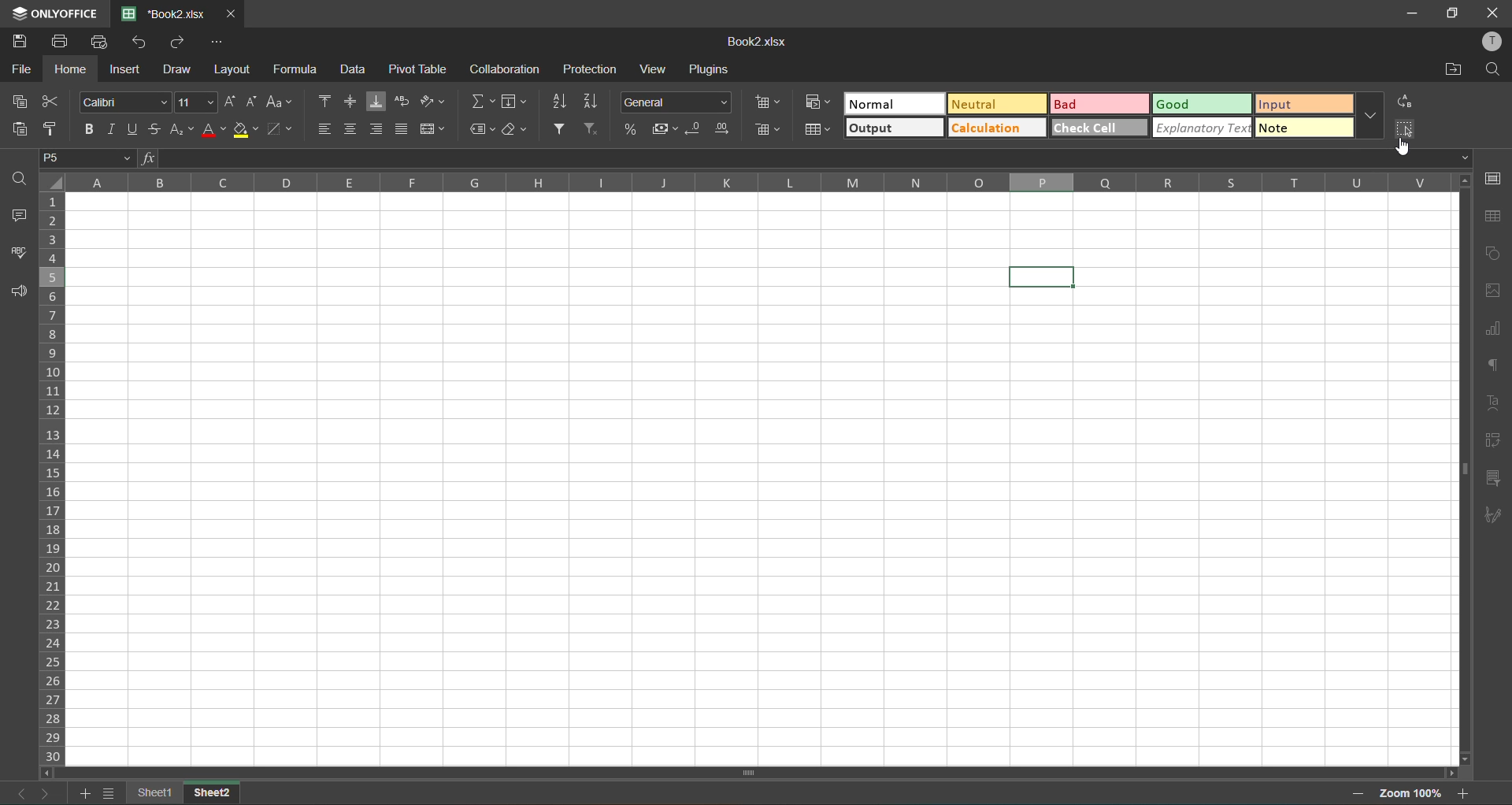  Describe the element at coordinates (58, 12) in the screenshot. I see `ONLYOFFICE` at that location.